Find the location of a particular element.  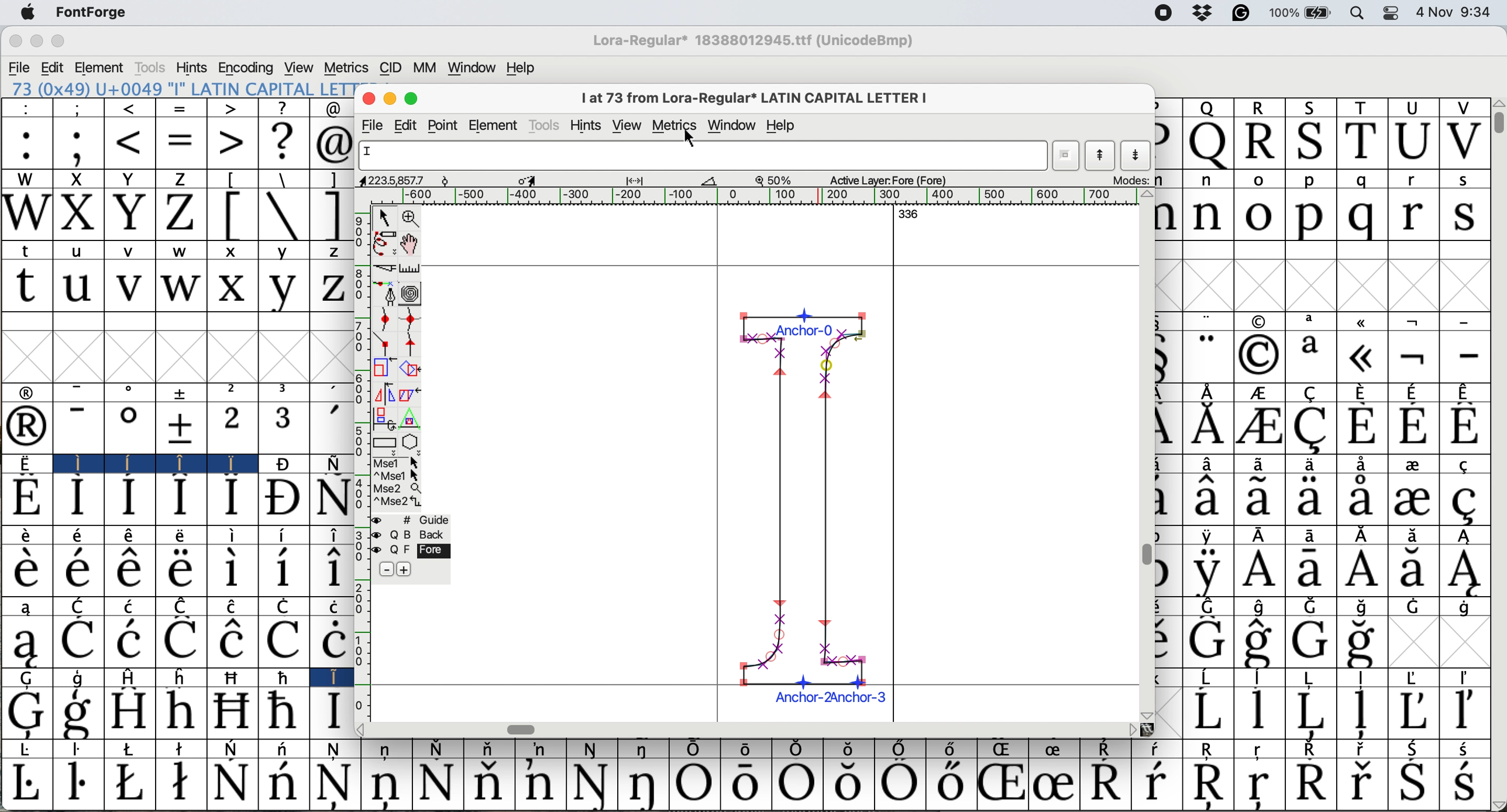

T is located at coordinates (1361, 106).